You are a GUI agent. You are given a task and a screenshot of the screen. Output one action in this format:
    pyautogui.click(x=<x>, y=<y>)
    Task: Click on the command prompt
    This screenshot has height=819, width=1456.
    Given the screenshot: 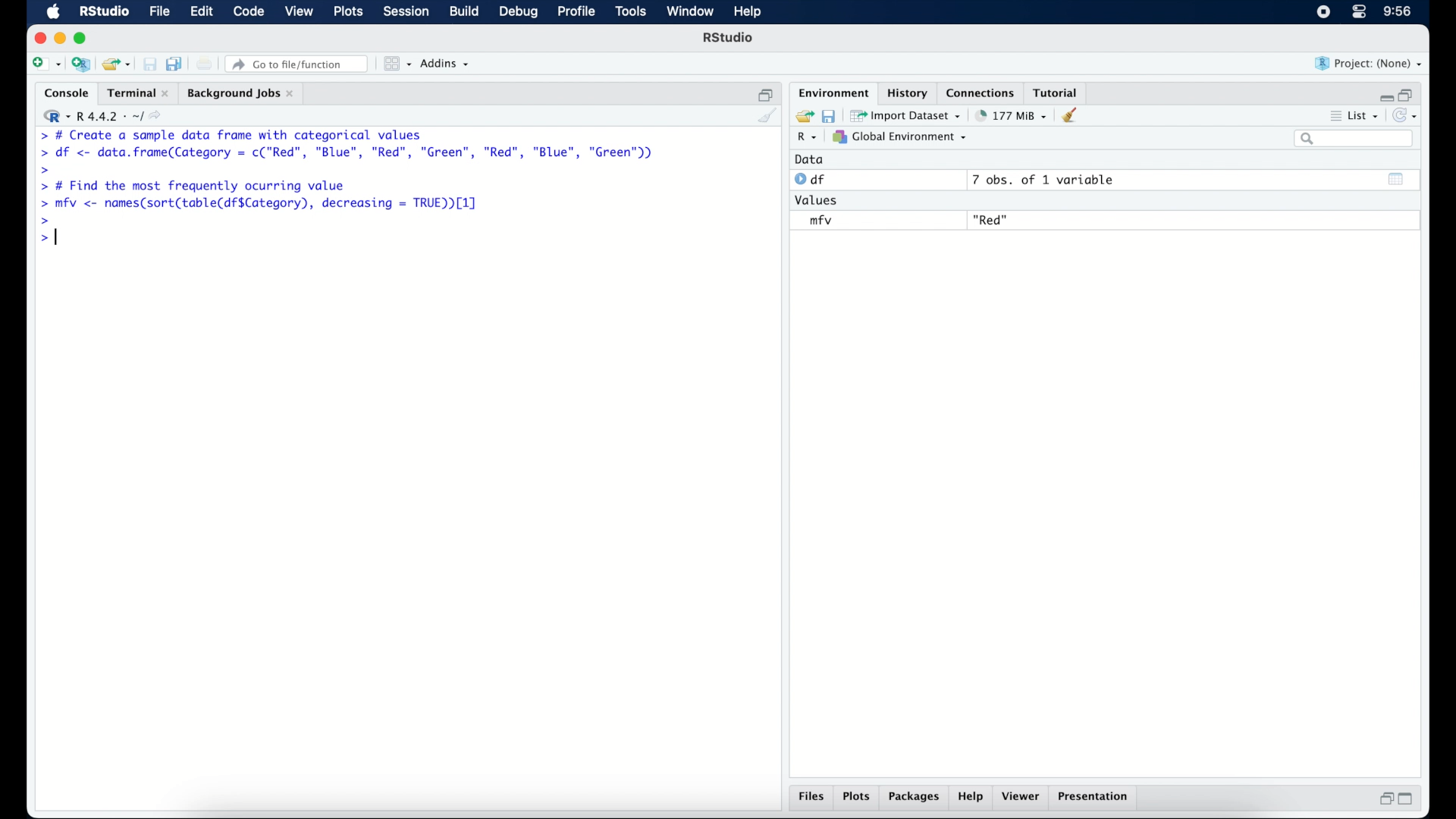 What is the action you would take?
    pyautogui.click(x=45, y=169)
    